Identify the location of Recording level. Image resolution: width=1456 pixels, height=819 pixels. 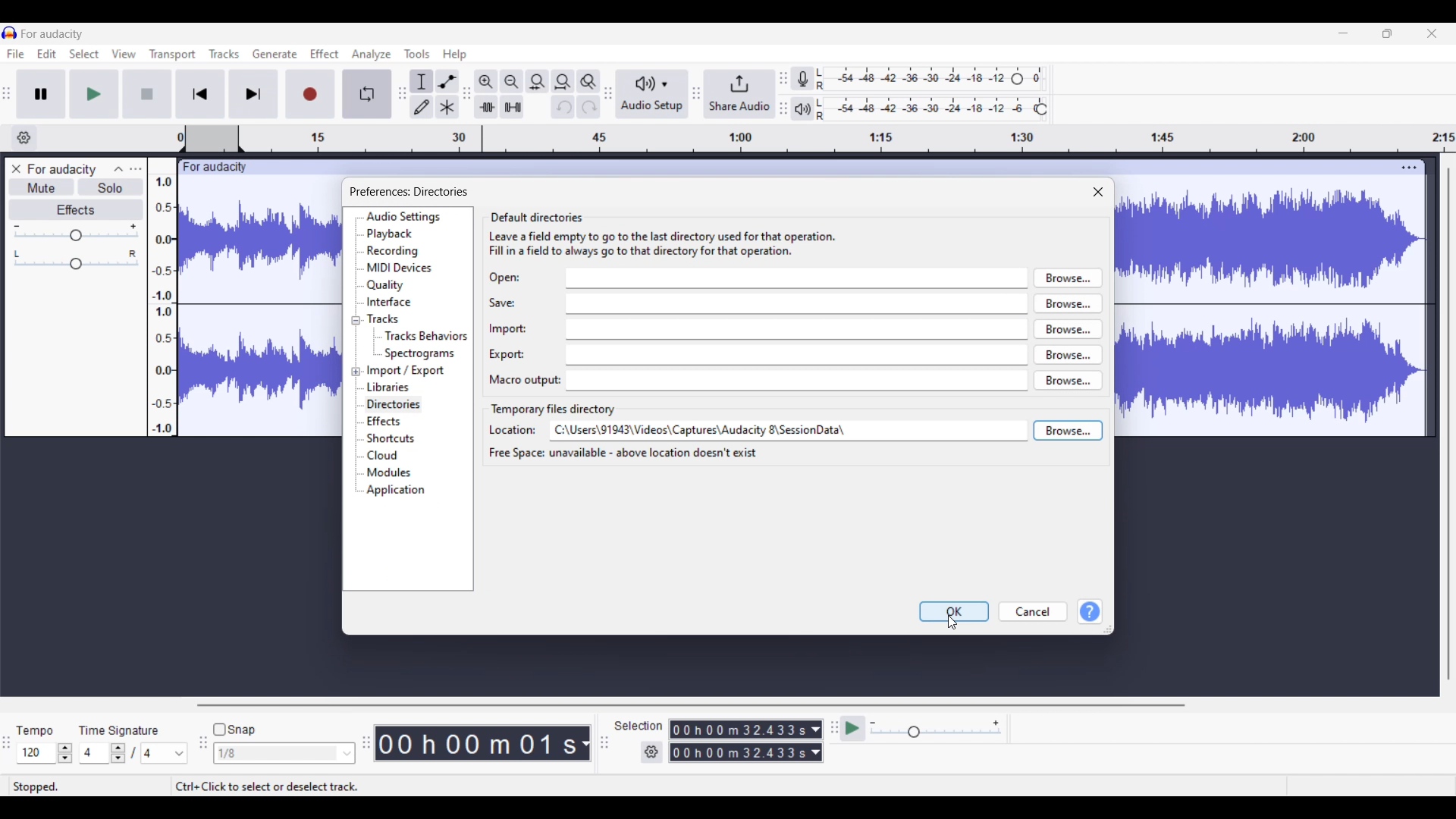
(912, 79).